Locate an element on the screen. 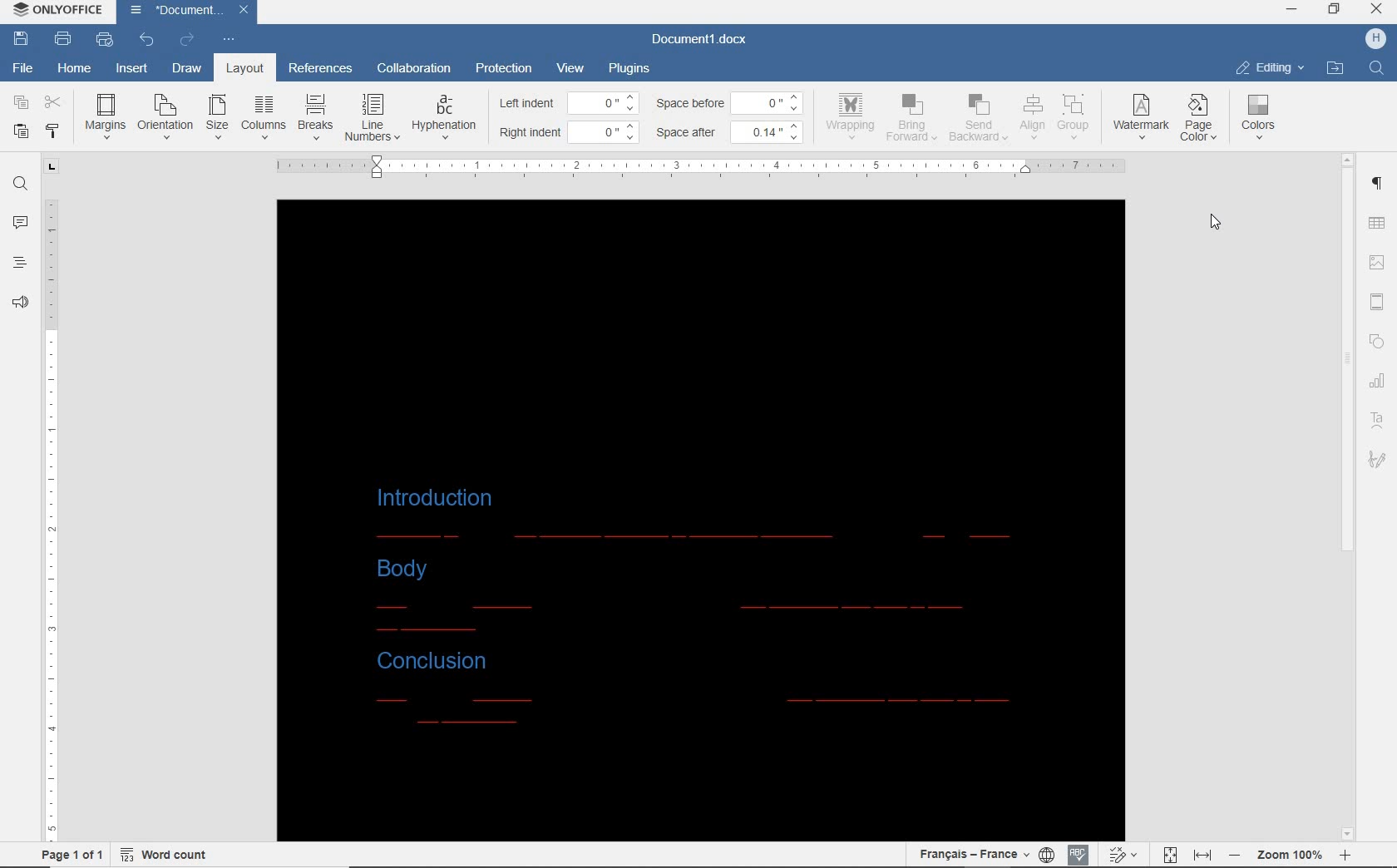  orientation is located at coordinates (164, 116).